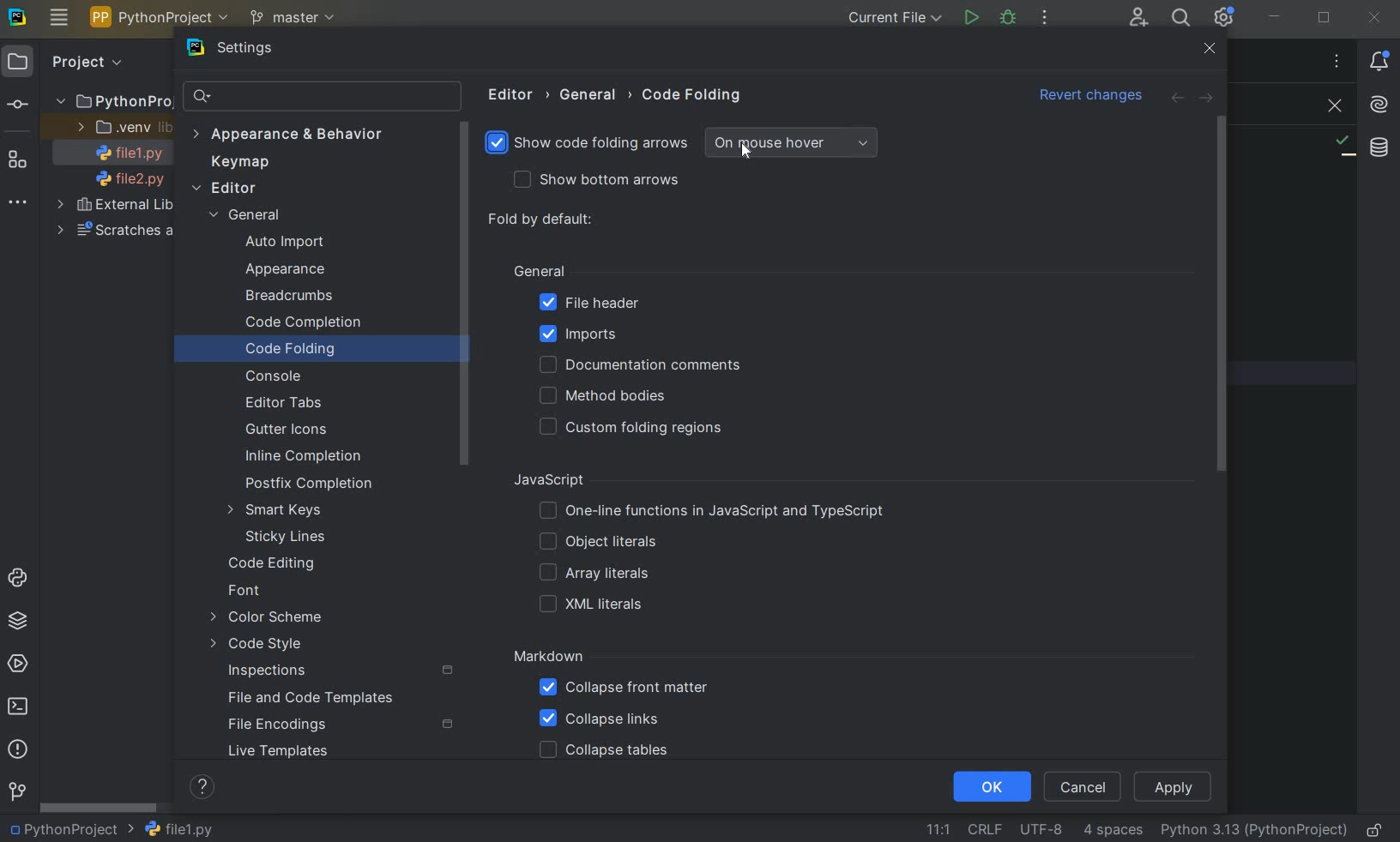 This screenshot has height=842, width=1400. I want to click on Cursor Position, so click(746, 149).